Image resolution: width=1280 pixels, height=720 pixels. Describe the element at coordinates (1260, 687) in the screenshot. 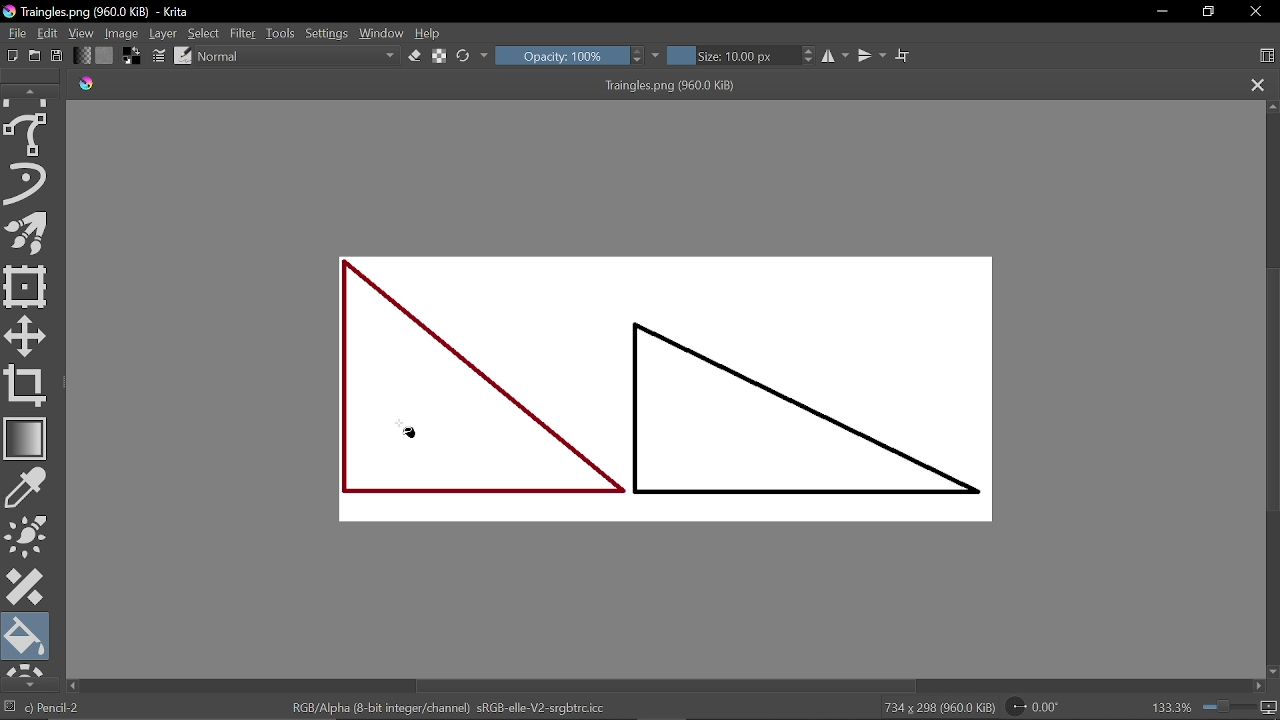

I see `move right` at that location.